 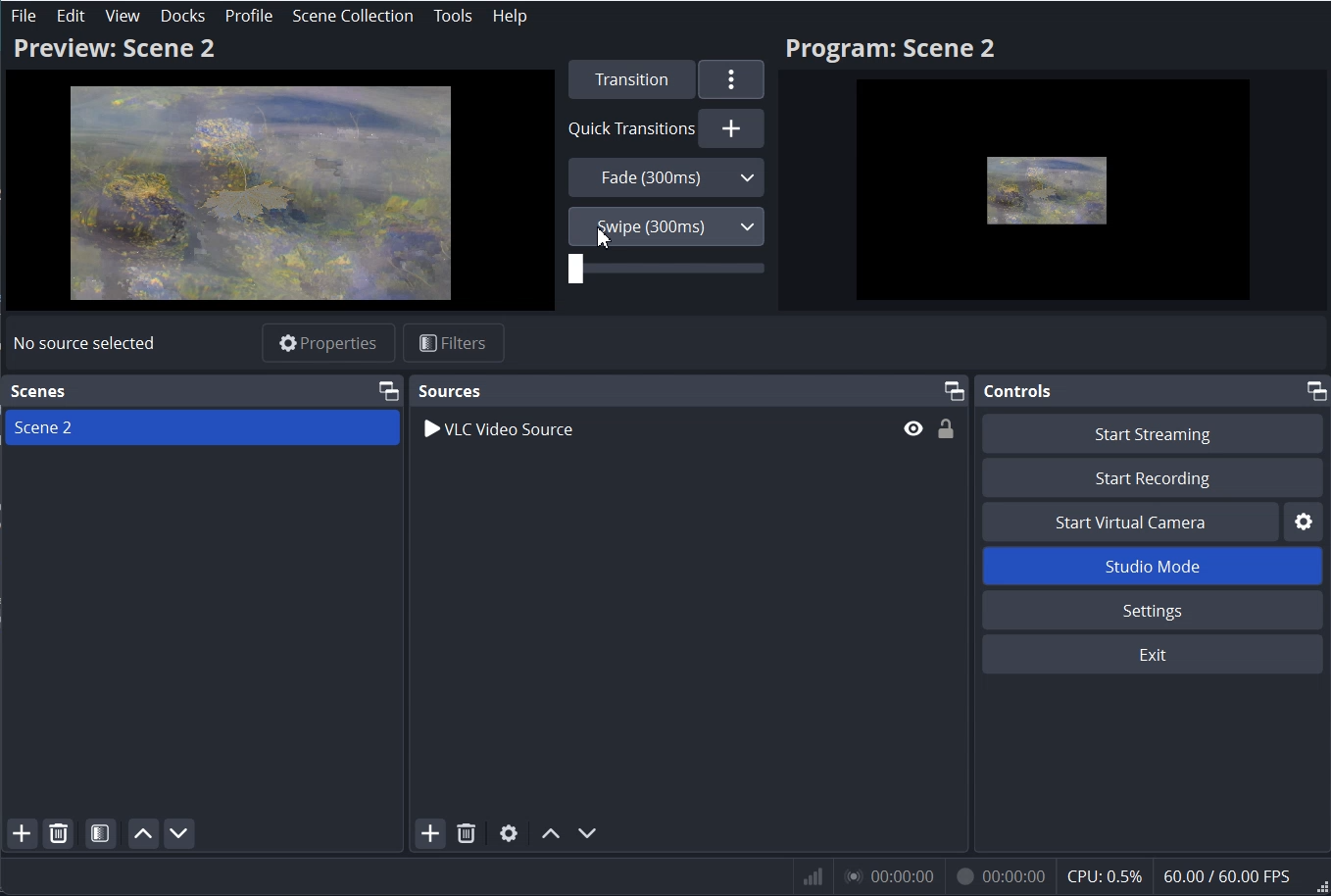 I want to click on Exit, so click(x=1157, y=654).